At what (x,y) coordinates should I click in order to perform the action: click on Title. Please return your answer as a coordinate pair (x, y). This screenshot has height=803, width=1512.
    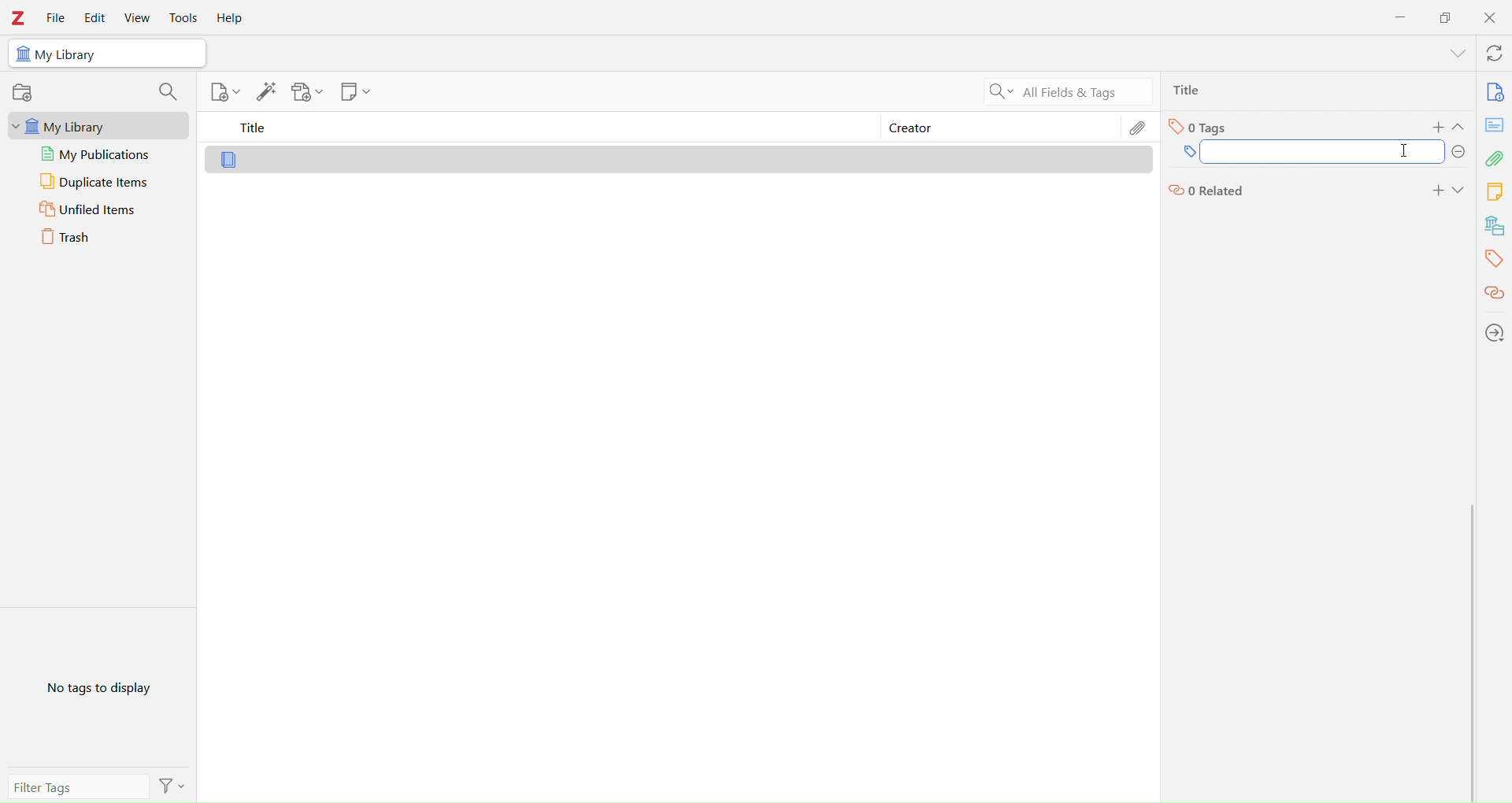
    Looking at the image, I should click on (535, 130).